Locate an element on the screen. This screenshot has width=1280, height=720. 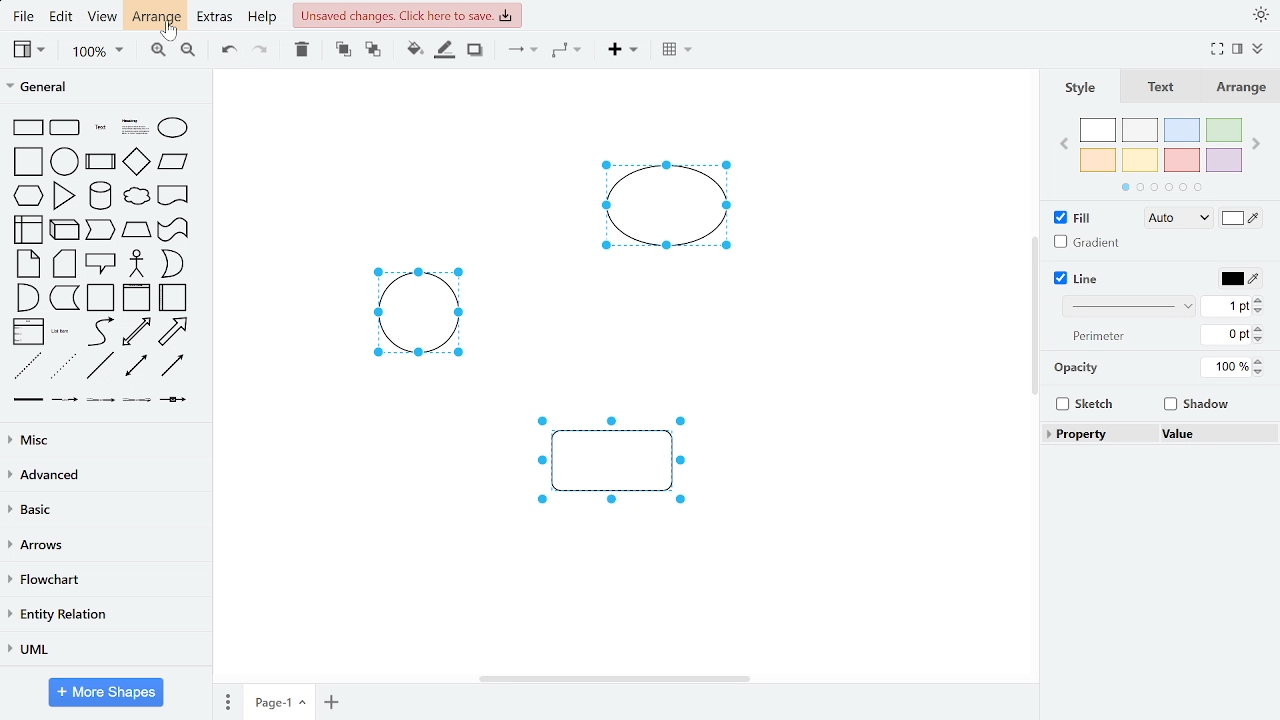
trapezoid is located at coordinates (137, 230).